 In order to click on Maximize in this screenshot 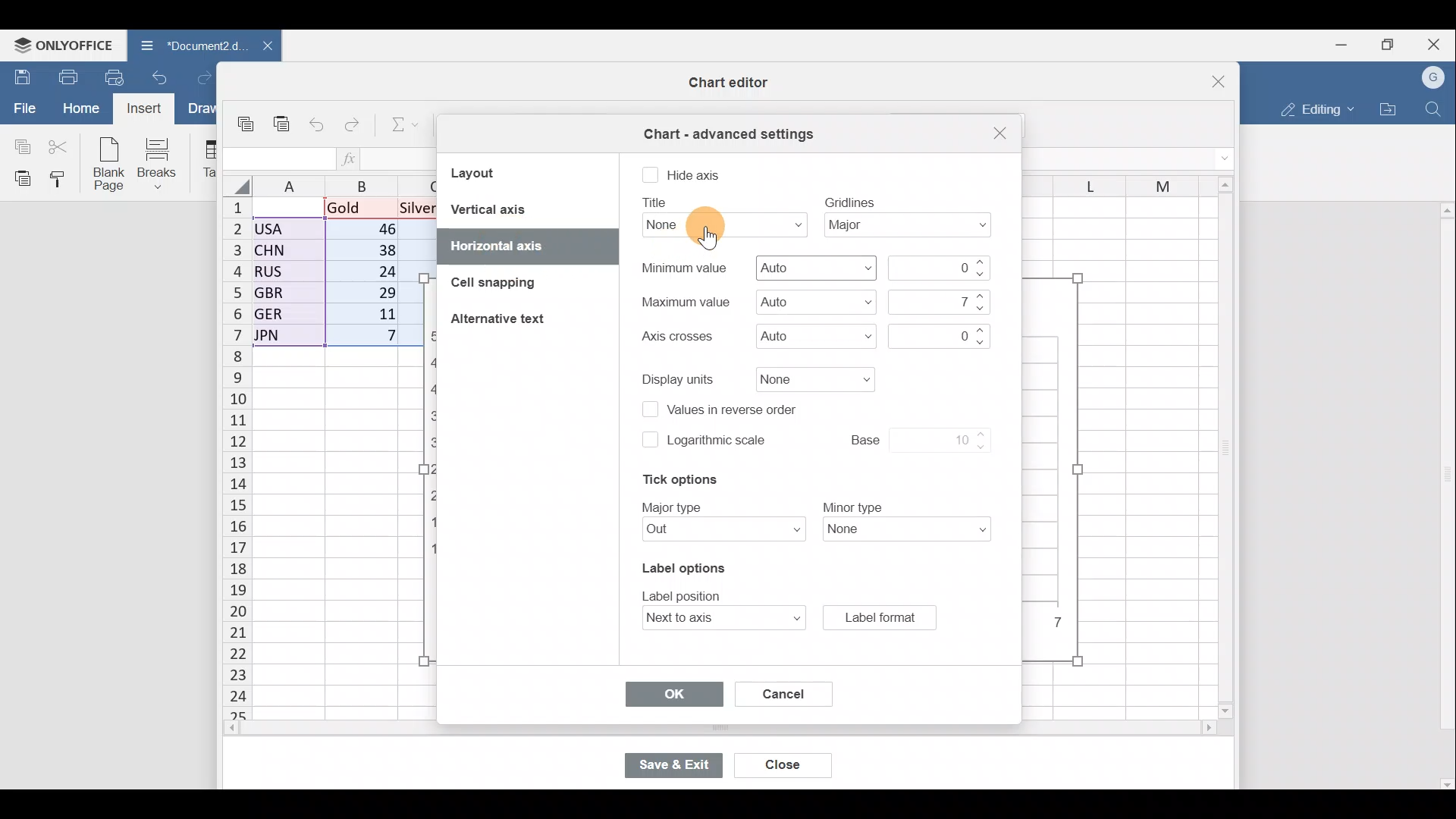, I will do `click(1388, 45)`.